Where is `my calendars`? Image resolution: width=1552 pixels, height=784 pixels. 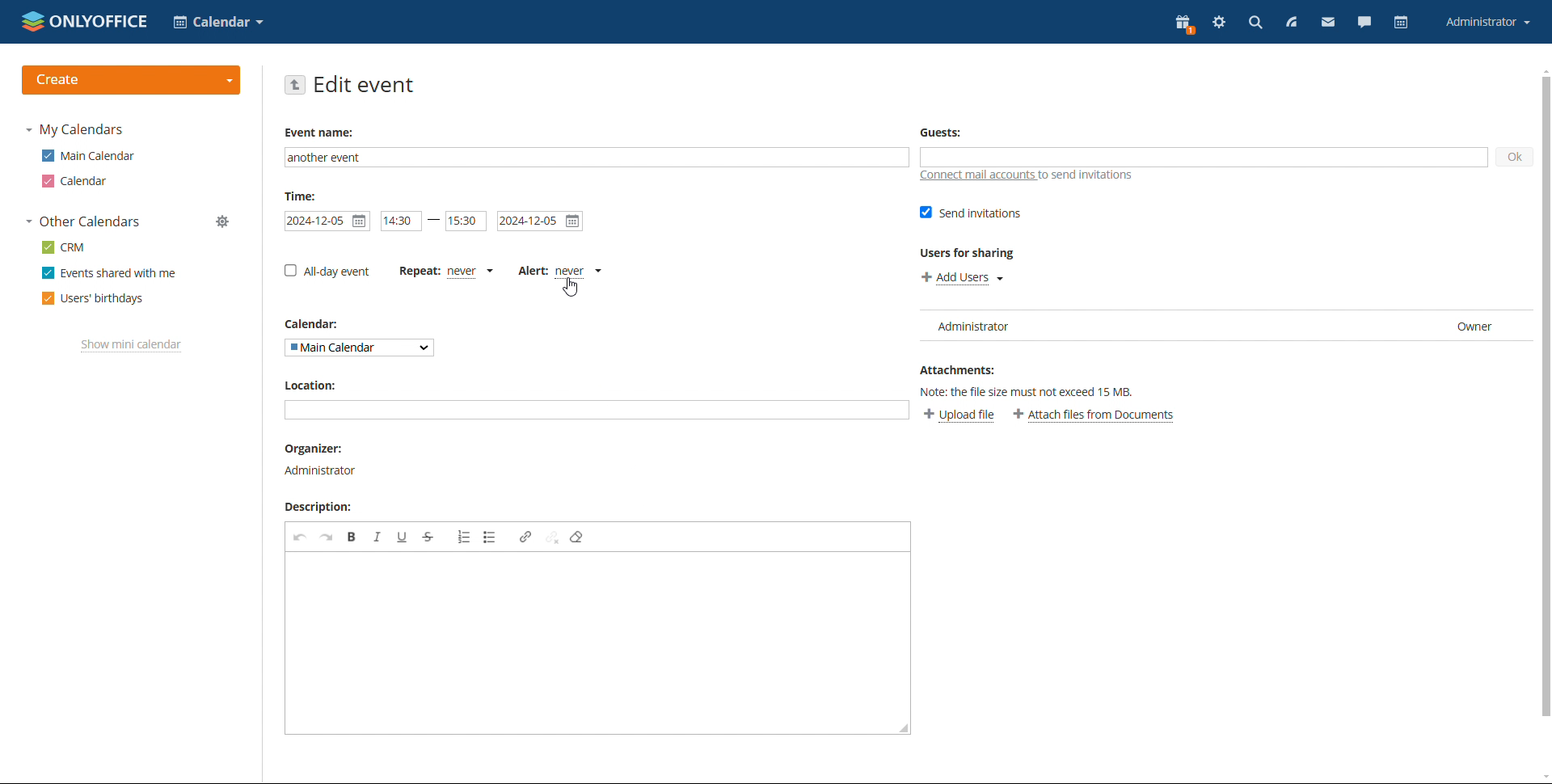 my calendars is located at coordinates (74, 130).